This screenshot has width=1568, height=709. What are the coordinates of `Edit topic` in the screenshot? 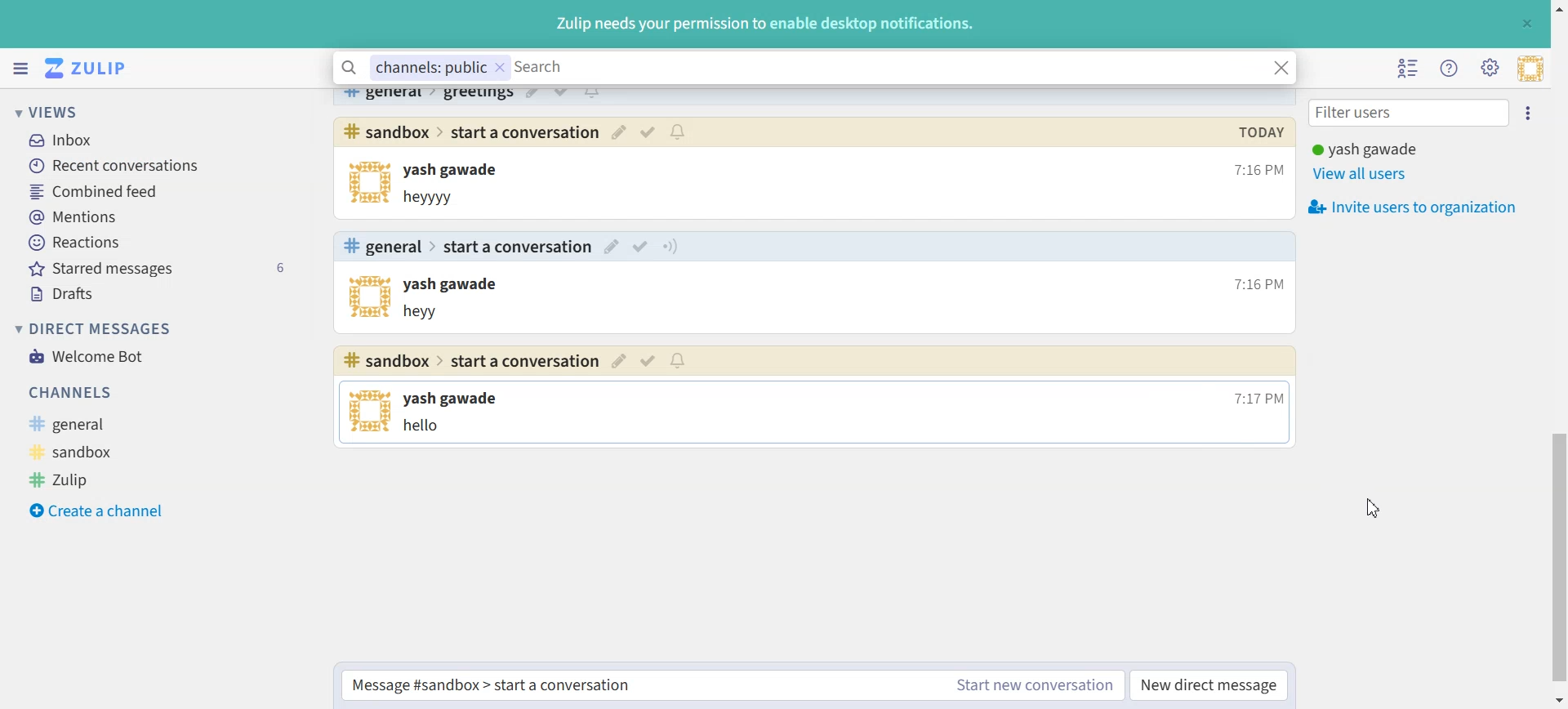 It's located at (619, 132).